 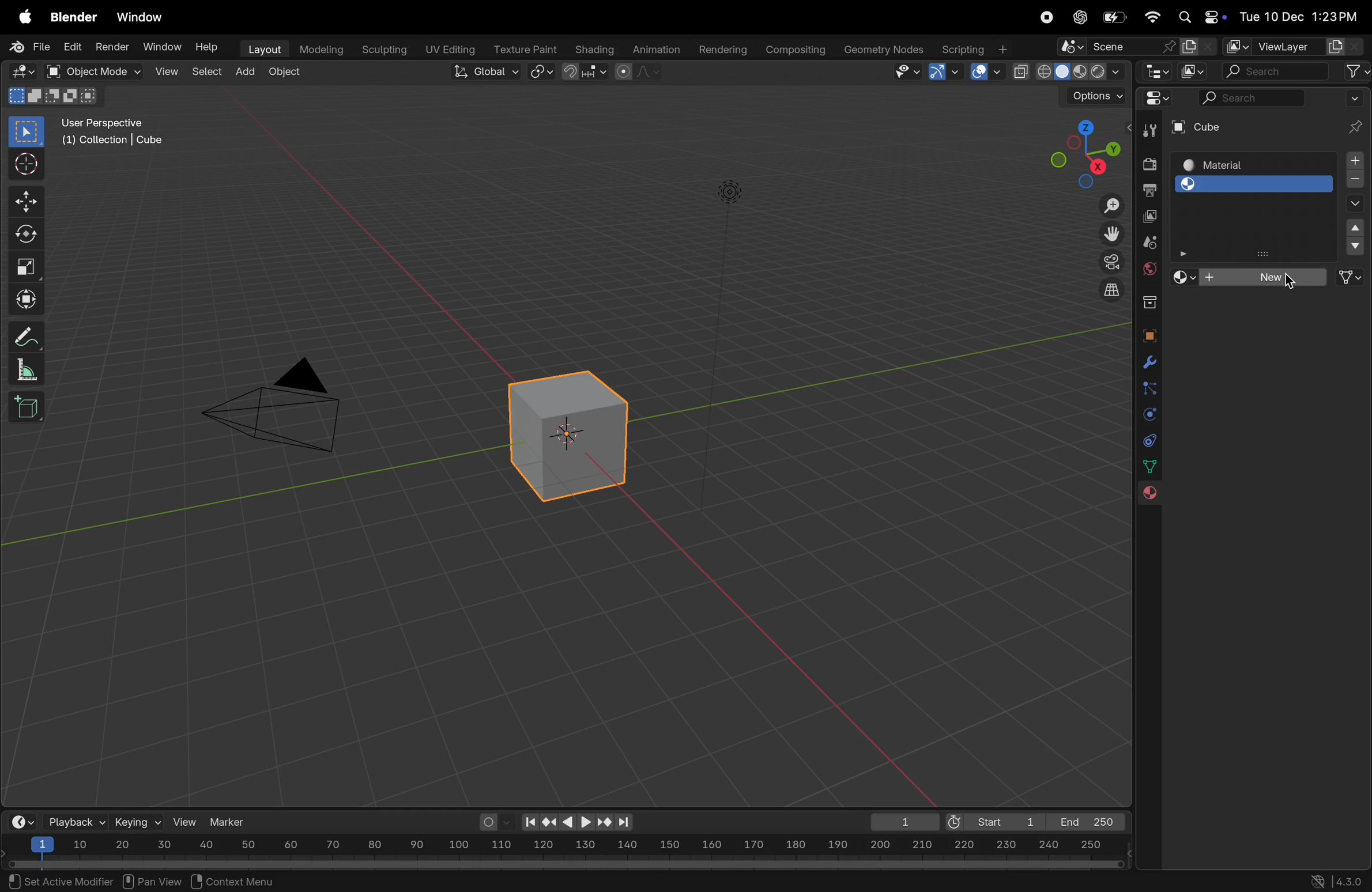 What do you see at coordinates (1149, 243) in the screenshot?
I see `scene` at bounding box center [1149, 243].